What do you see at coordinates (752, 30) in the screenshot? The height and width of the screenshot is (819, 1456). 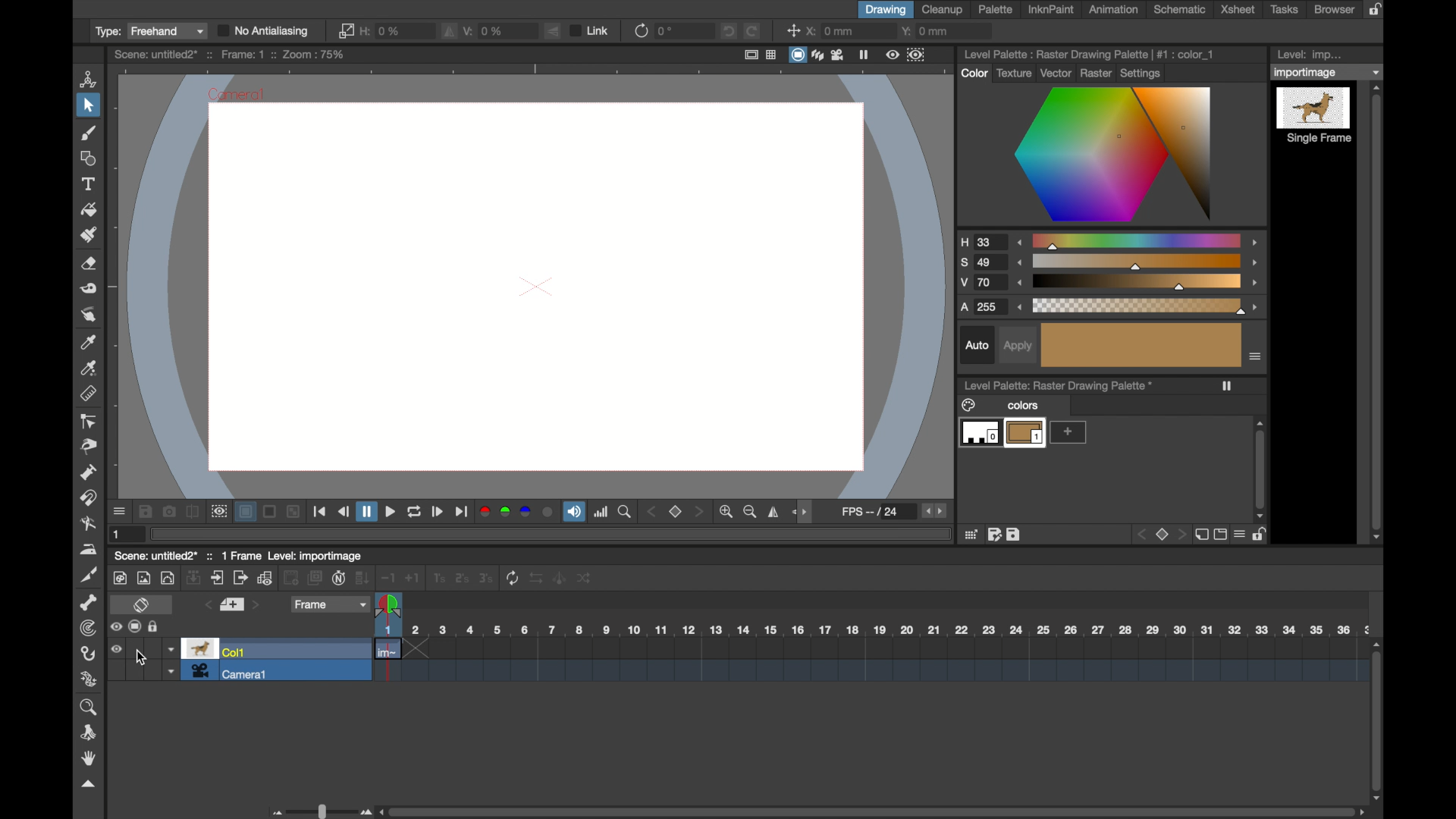 I see `redo` at bounding box center [752, 30].